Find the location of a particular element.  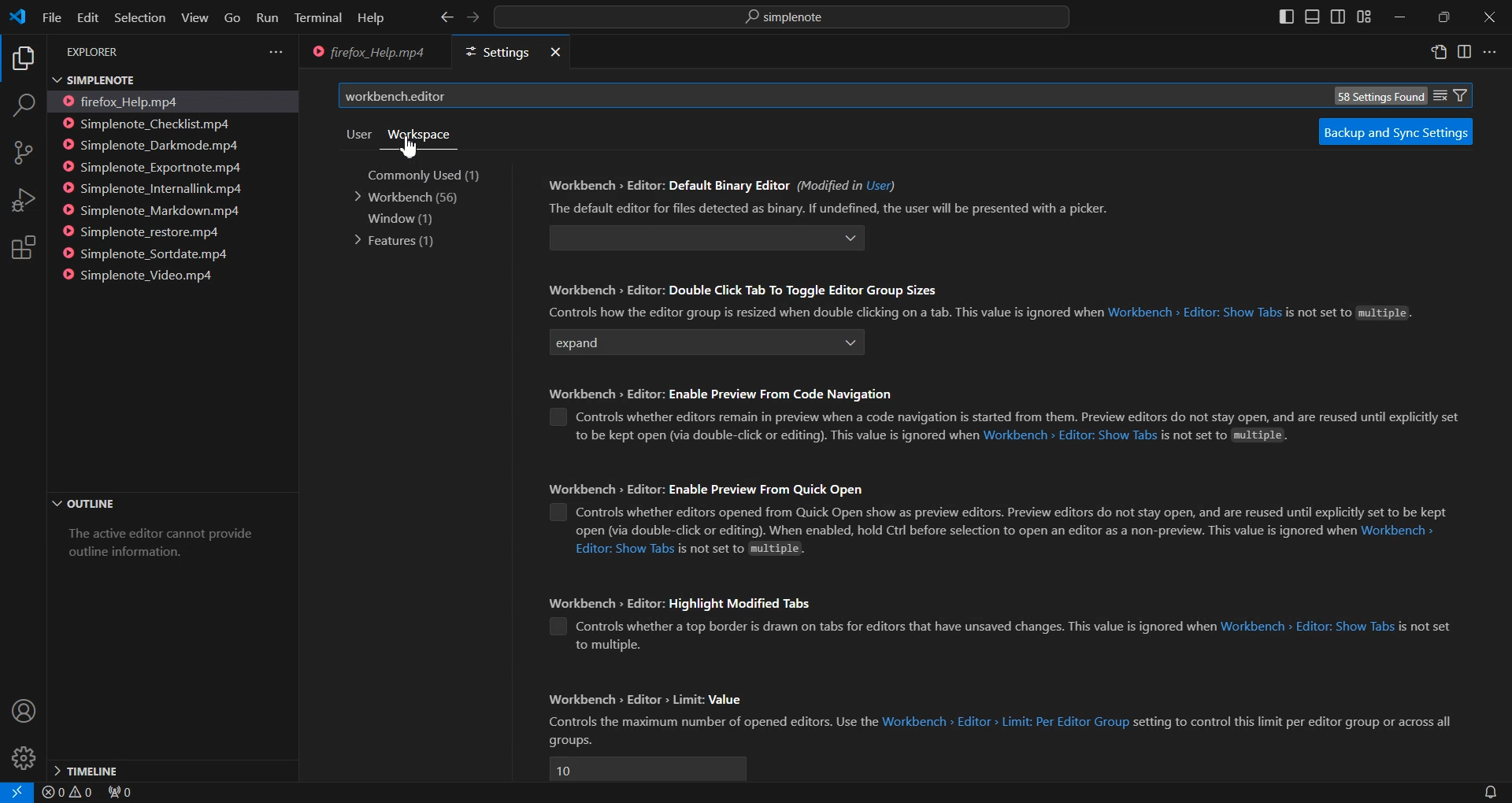

No notification is located at coordinates (1488, 792).